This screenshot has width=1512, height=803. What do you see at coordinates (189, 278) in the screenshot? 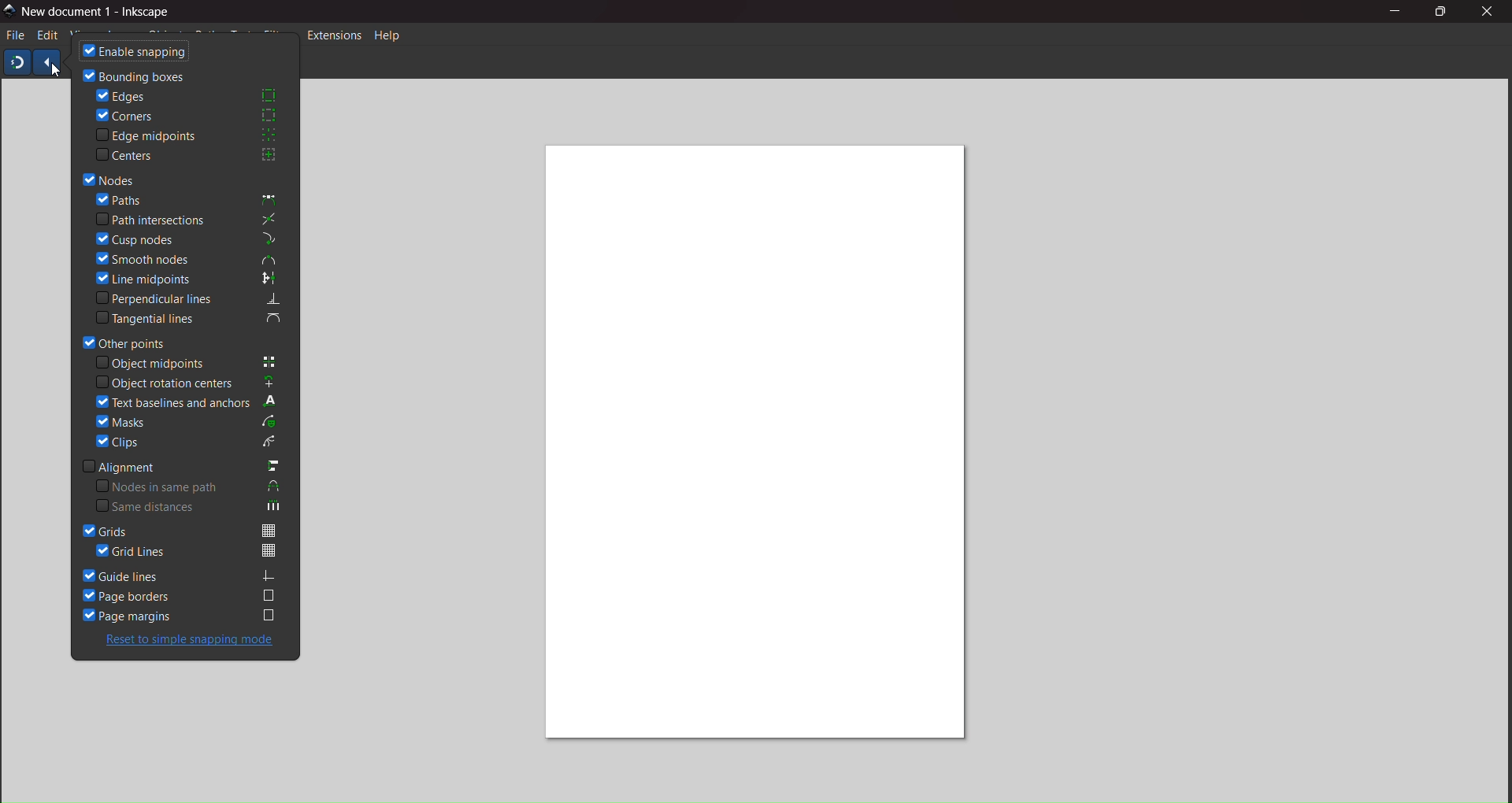
I see `line midpoints` at bounding box center [189, 278].